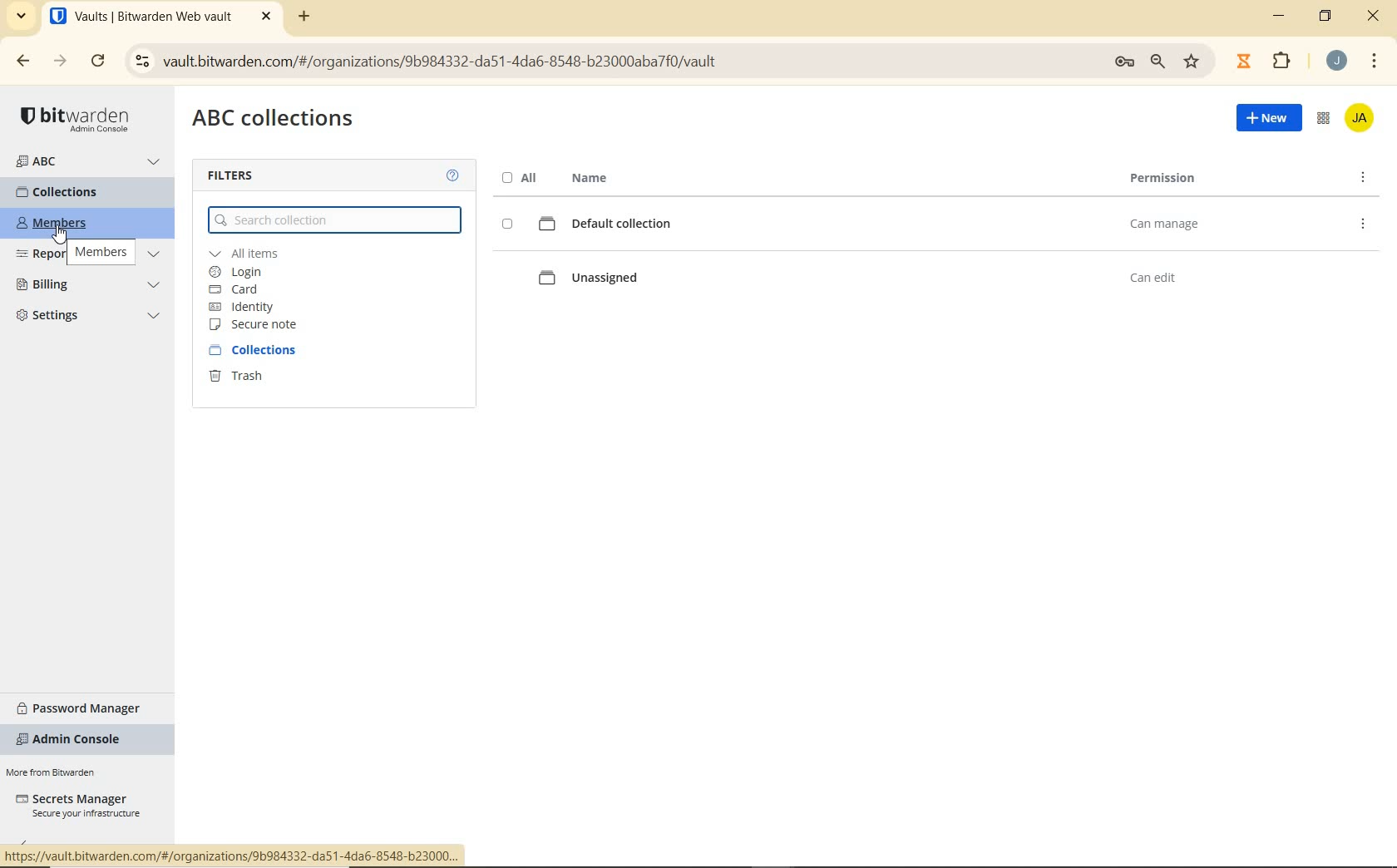 Image resolution: width=1397 pixels, height=868 pixels. I want to click on SECRETS MANAGER, so click(77, 806).